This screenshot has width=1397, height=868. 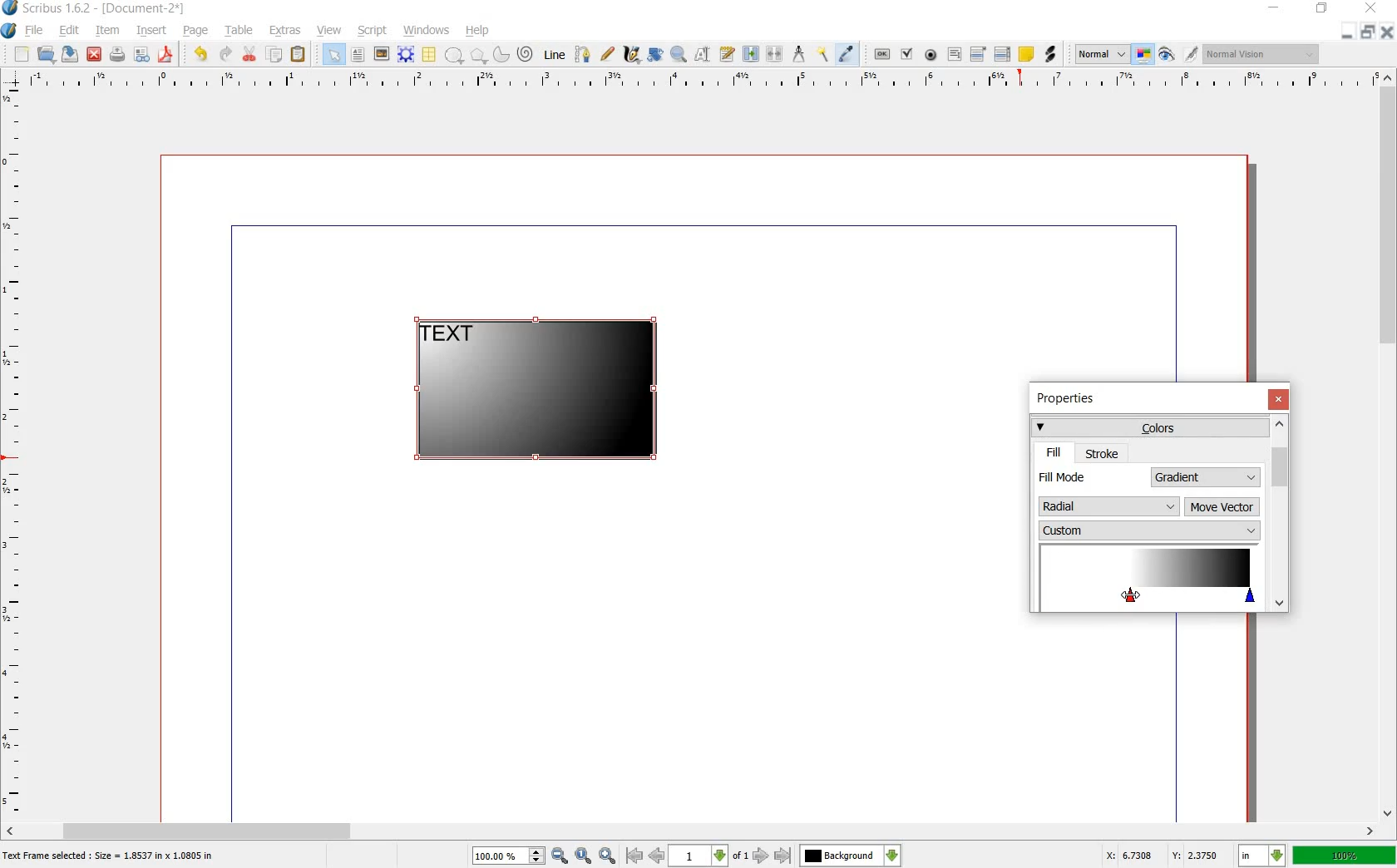 What do you see at coordinates (678, 56) in the screenshot?
I see `zoom in or out` at bounding box center [678, 56].